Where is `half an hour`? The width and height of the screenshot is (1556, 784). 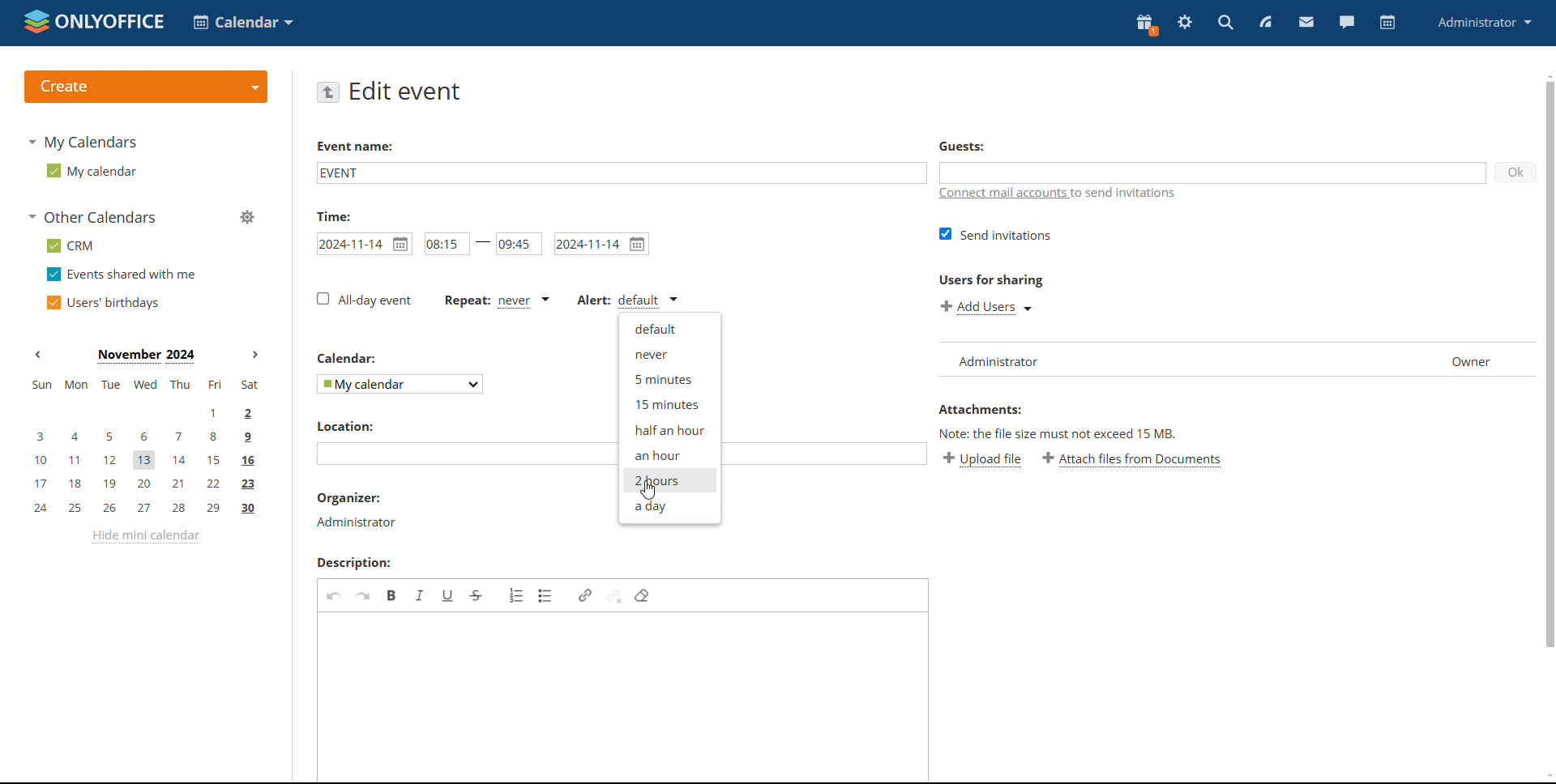
half an hour is located at coordinates (669, 431).